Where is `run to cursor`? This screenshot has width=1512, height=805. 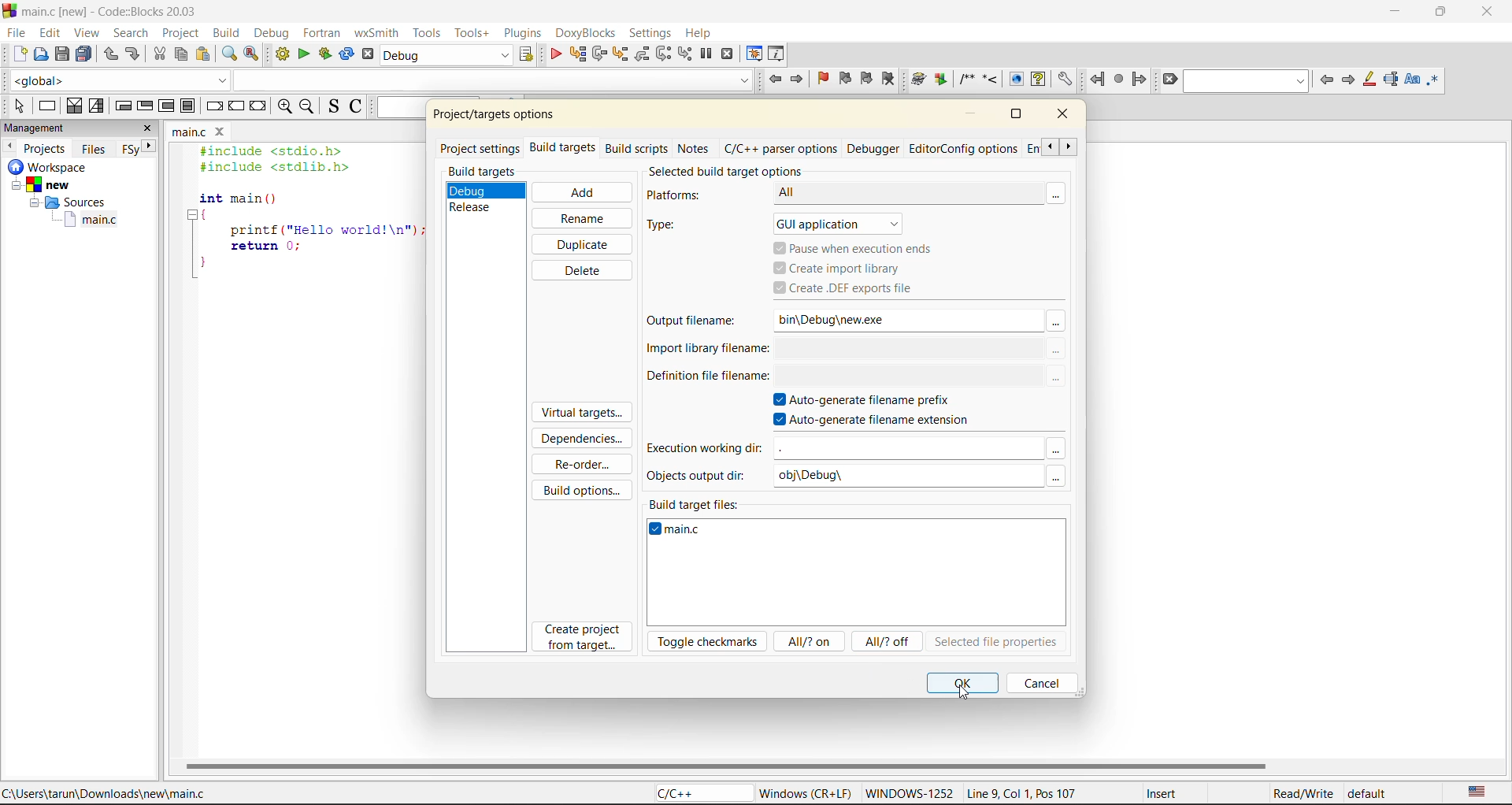
run to cursor is located at coordinates (577, 53).